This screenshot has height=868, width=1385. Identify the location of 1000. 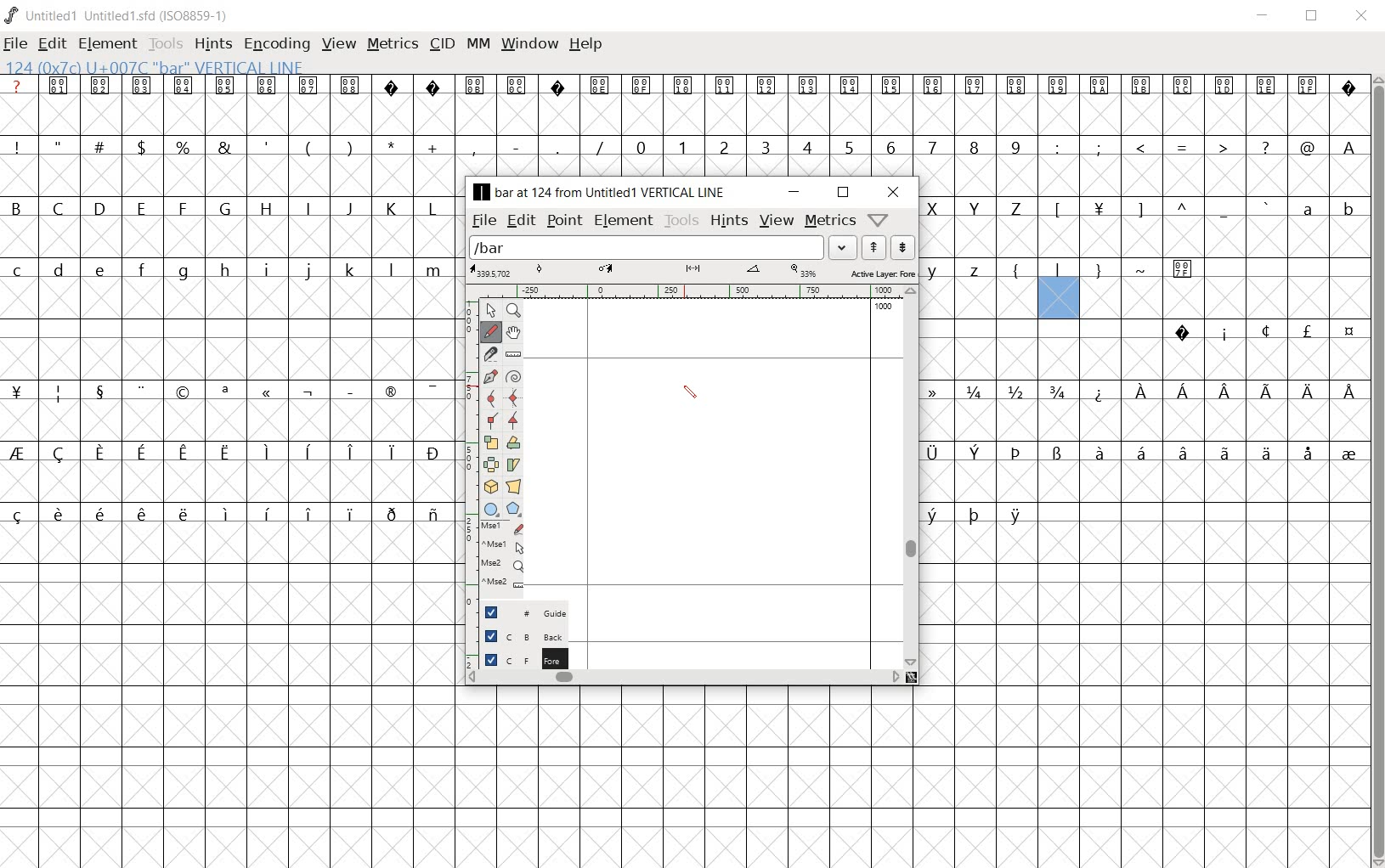
(885, 311).